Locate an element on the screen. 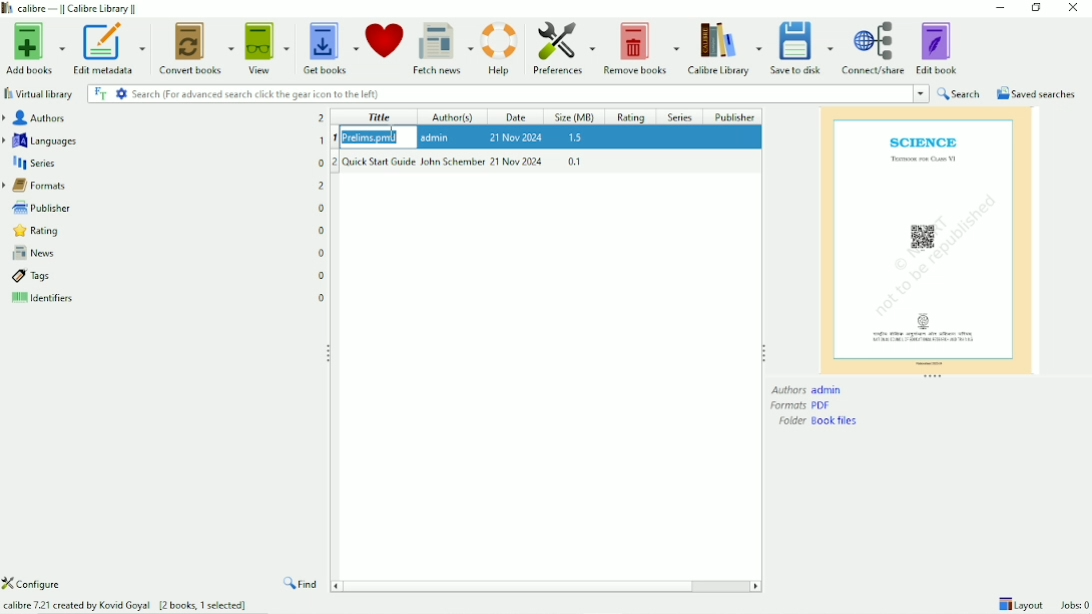 This screenshot has width=1092, height=614. Identifiers is located at coordinates (40, 300).